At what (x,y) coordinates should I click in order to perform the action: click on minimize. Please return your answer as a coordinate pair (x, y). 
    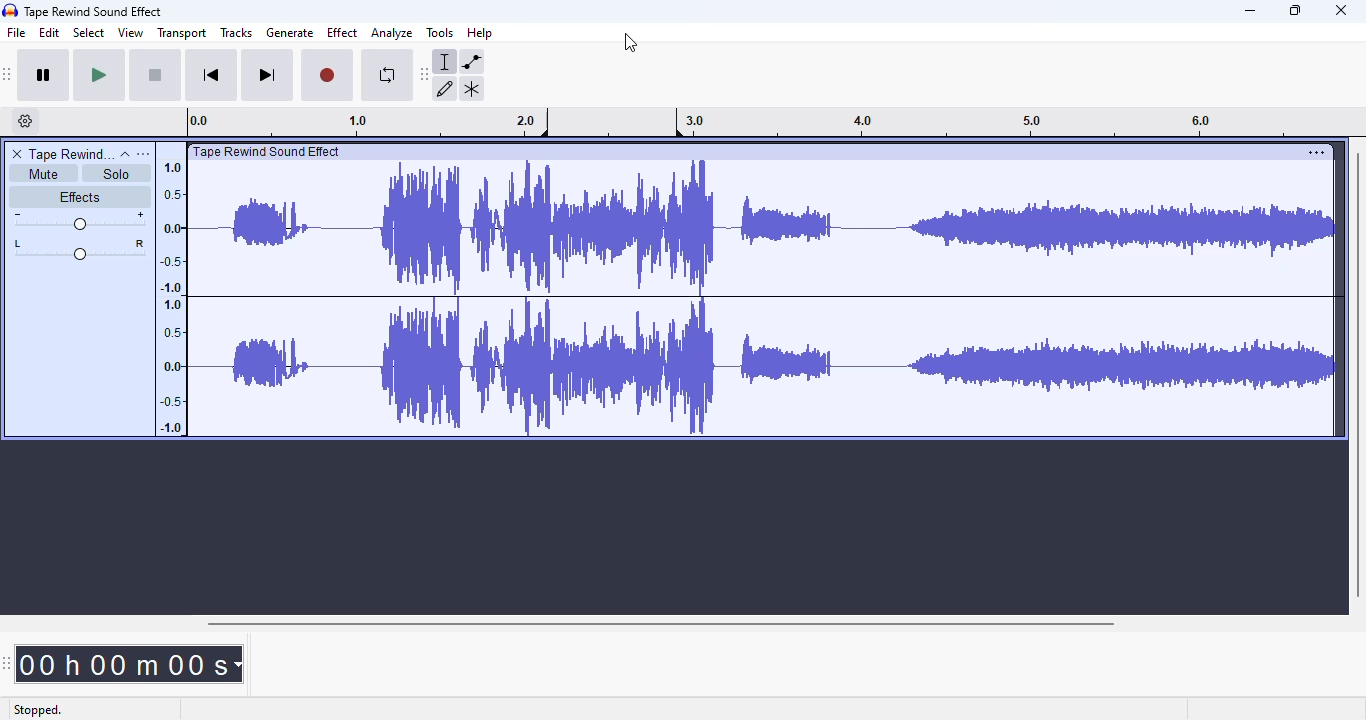
    Looking at the image, I should click on (1250, 11).